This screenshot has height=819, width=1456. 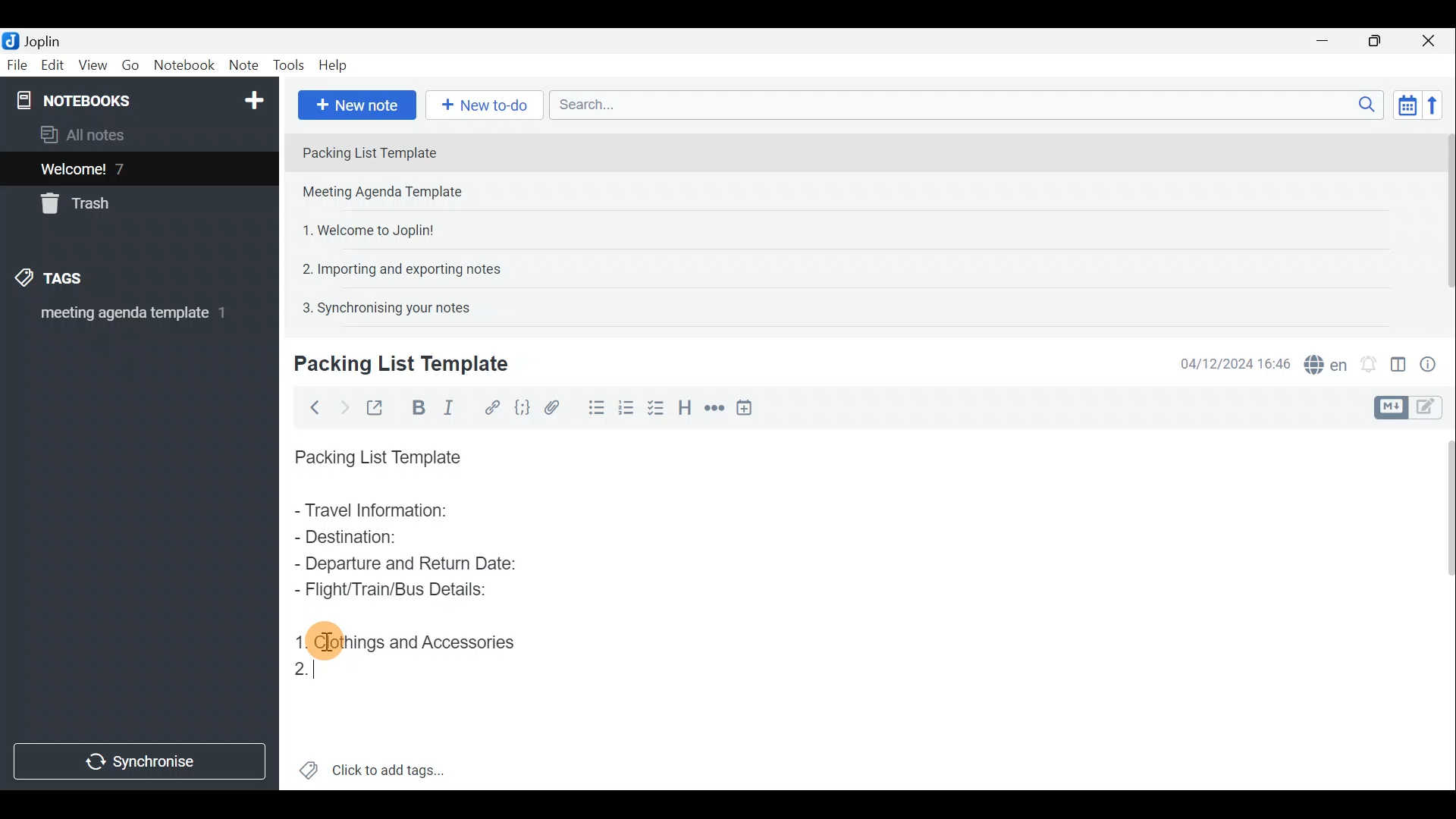 What do you see at coordinates (131, 65) in the screenshot?
I see `Go` at bounding box center [131, 65].